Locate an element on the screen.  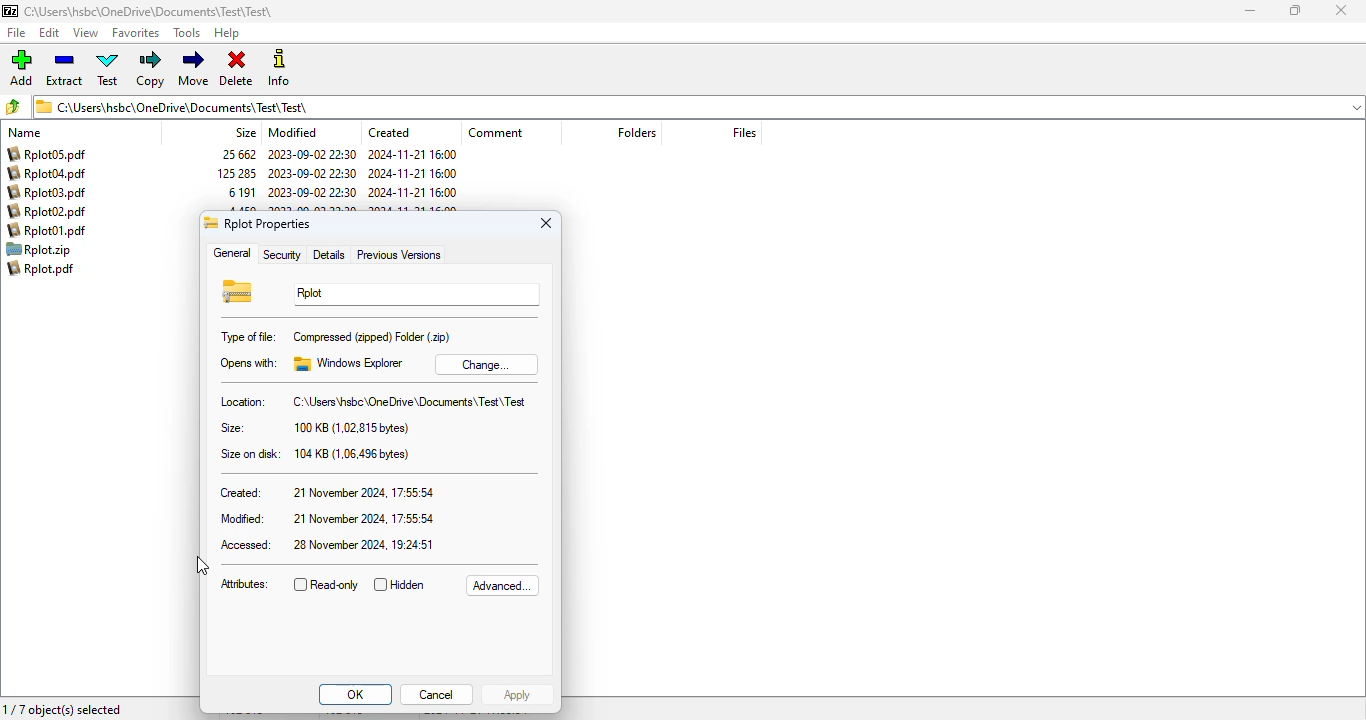
close is located at coordinates (1342, 11).